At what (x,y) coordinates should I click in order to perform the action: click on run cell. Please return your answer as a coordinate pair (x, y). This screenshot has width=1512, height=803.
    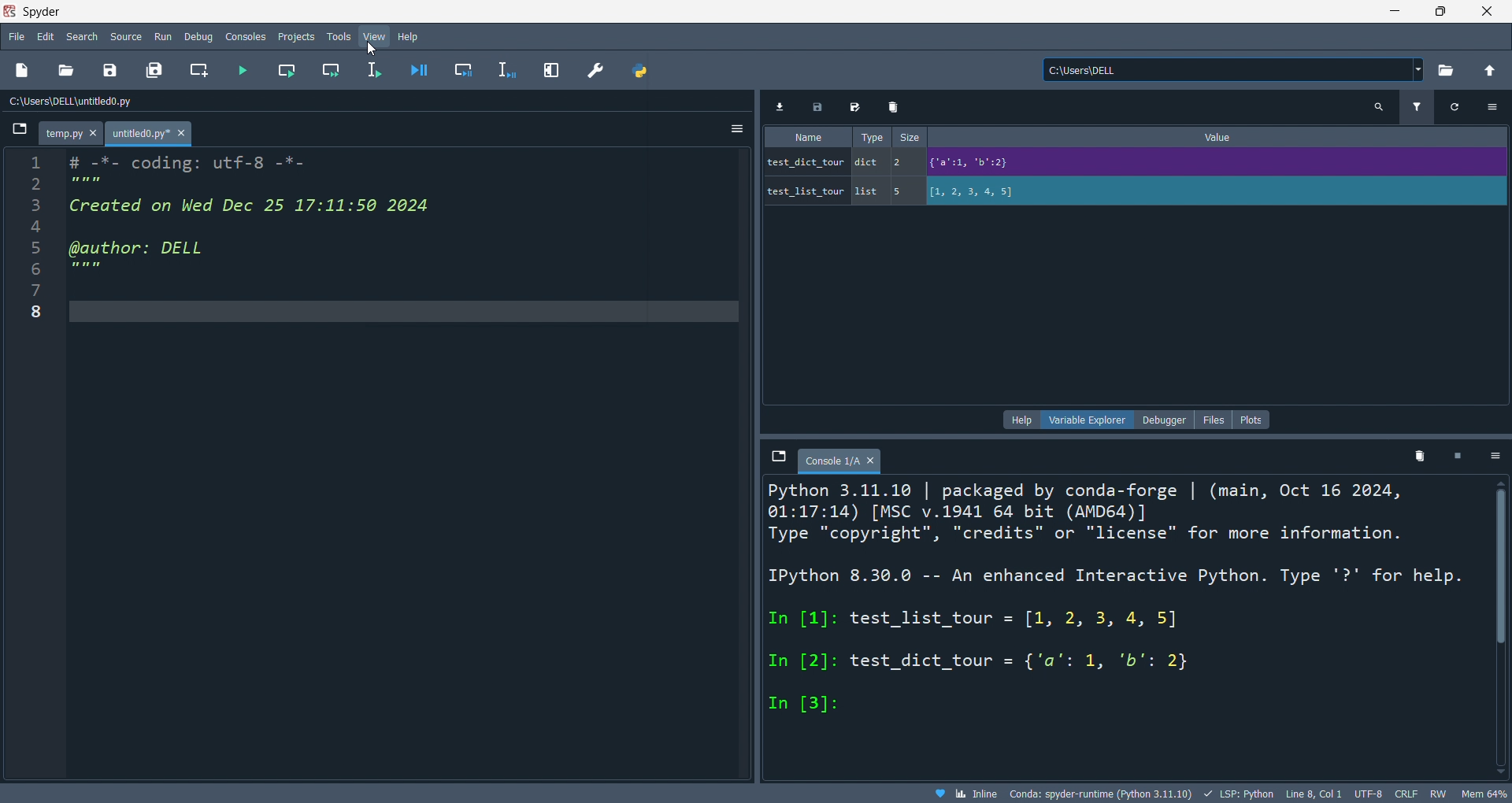
    Looking at the image, I should click on (285, 72).